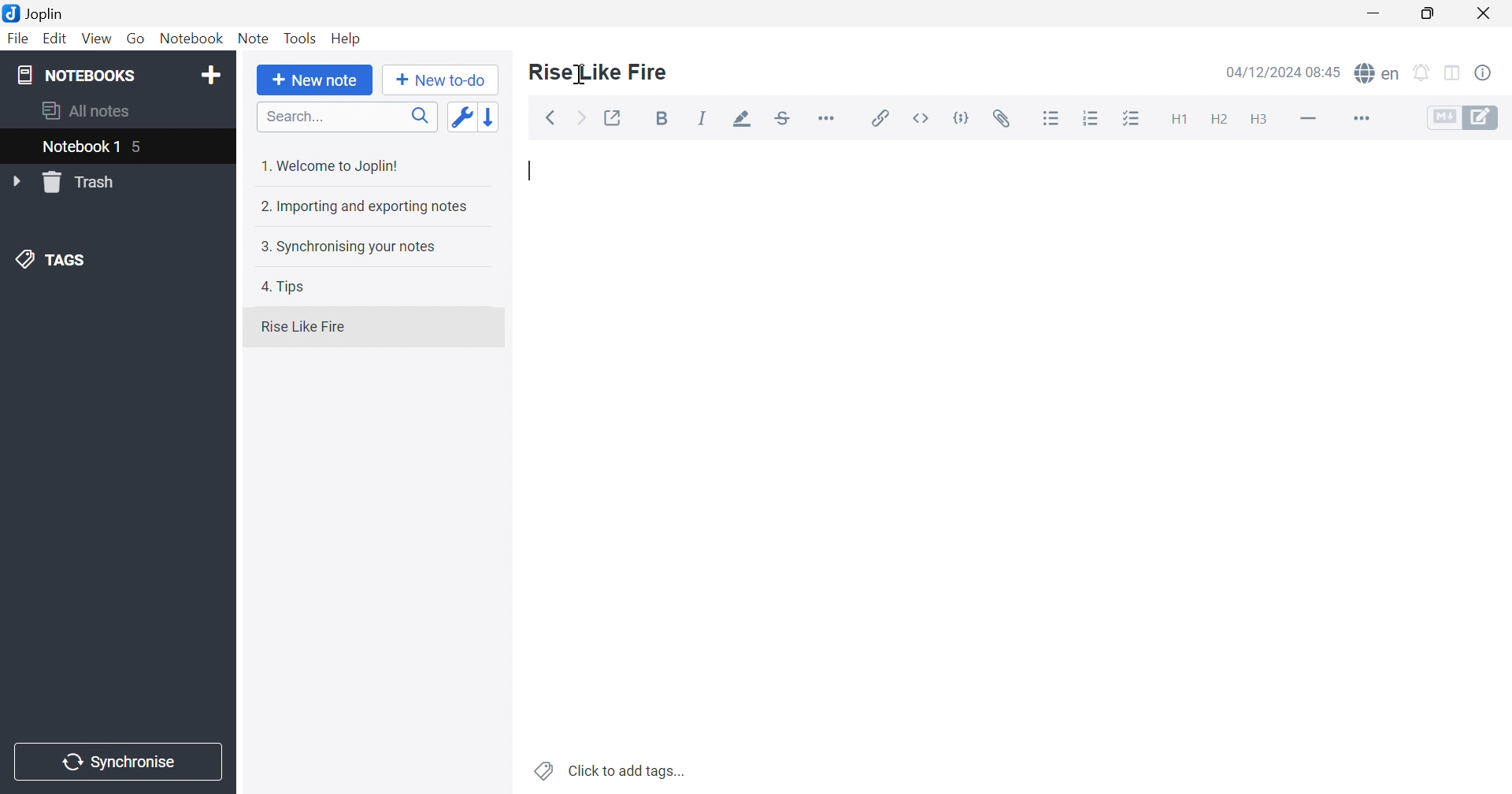  I want to click on Add notebook, so click(213, 74).